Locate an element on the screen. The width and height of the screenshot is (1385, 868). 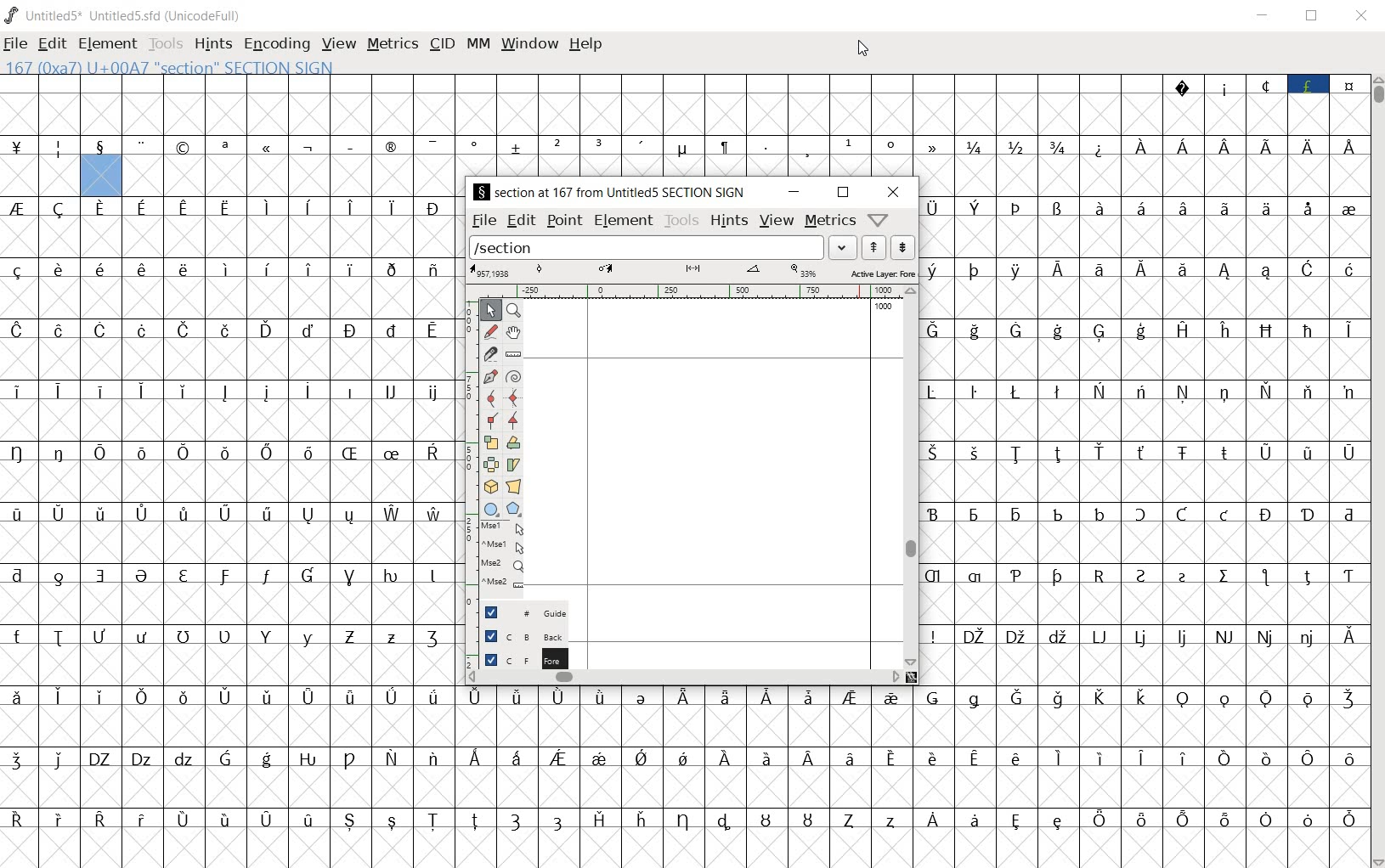
load word list is located at coordinates (664, 247).